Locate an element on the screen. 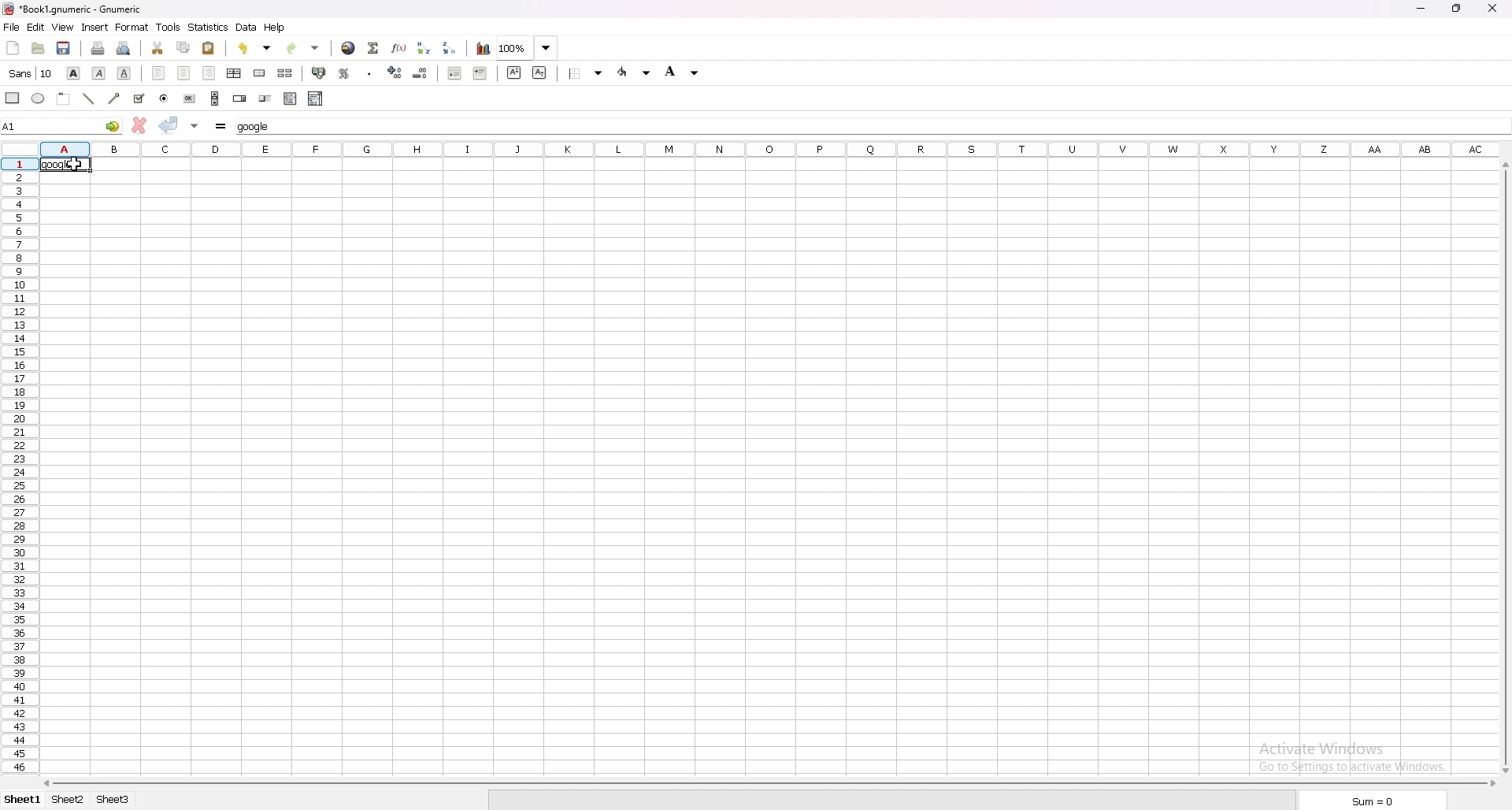 The width and height of the screenshot is (1512, 810). bold is located at coordinates (74, 73).